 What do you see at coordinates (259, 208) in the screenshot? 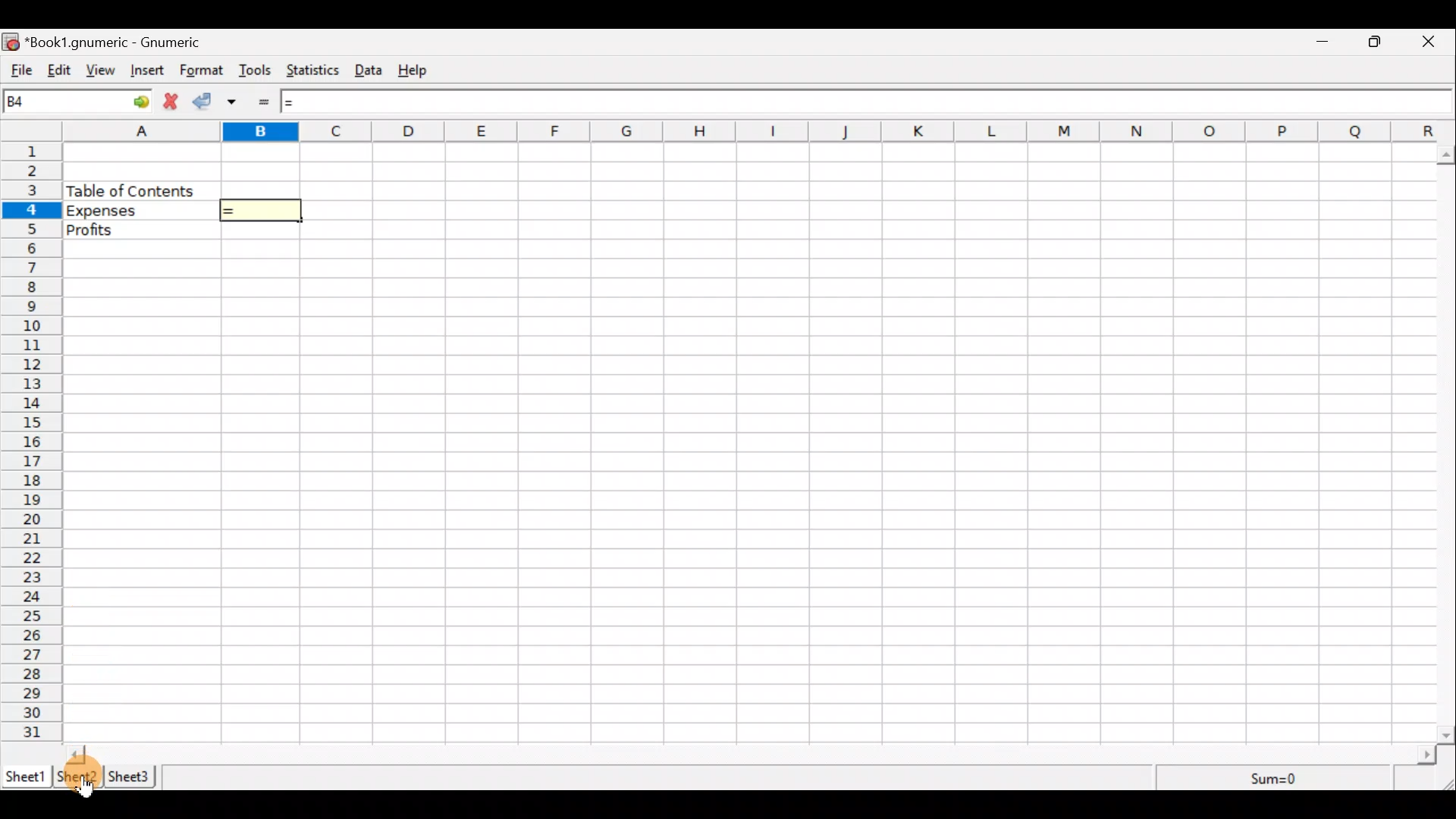
I see `=` at bounding box center [259, 208].